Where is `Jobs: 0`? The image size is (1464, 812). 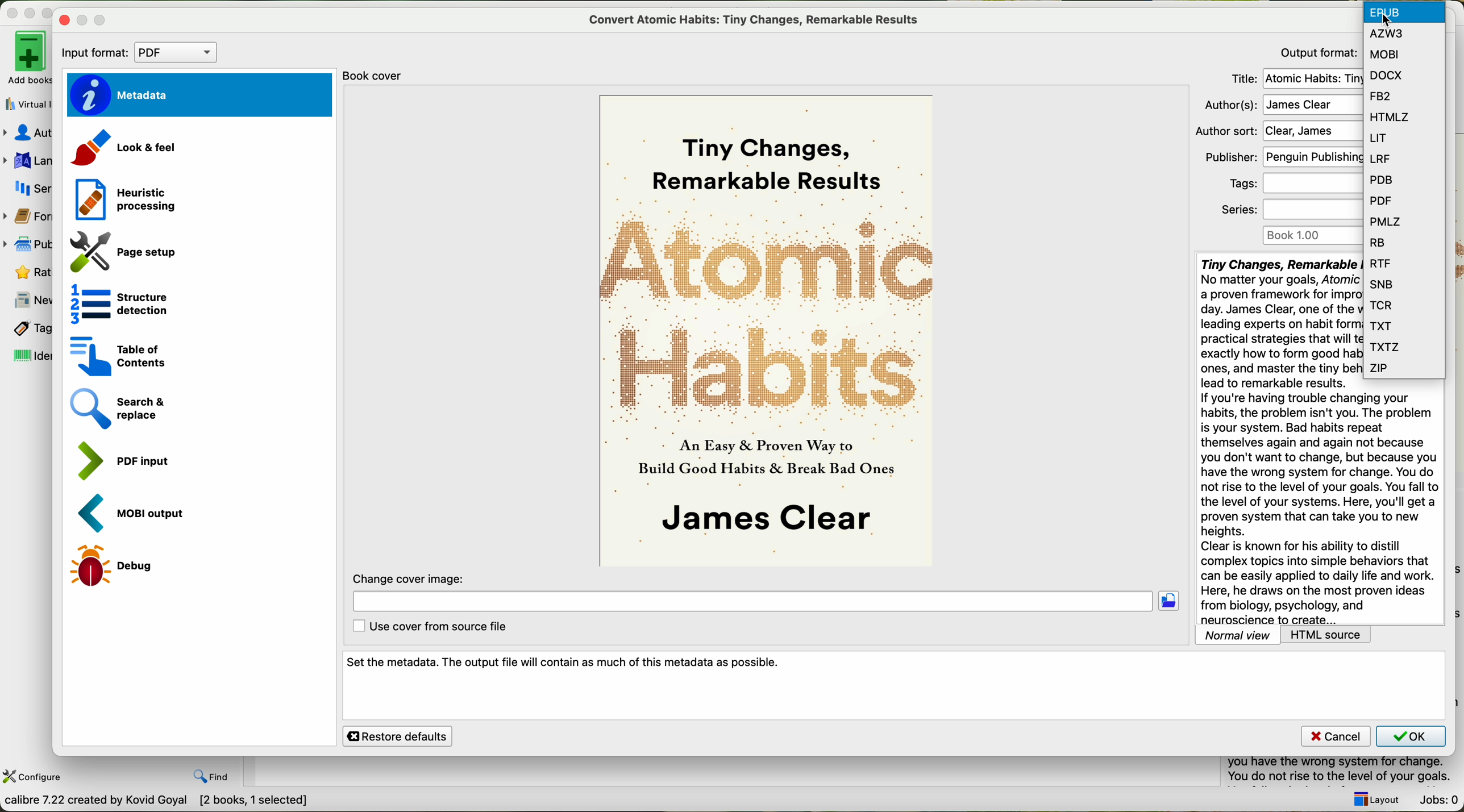 Jobs: 0 is located at coordinates (1440, 801).